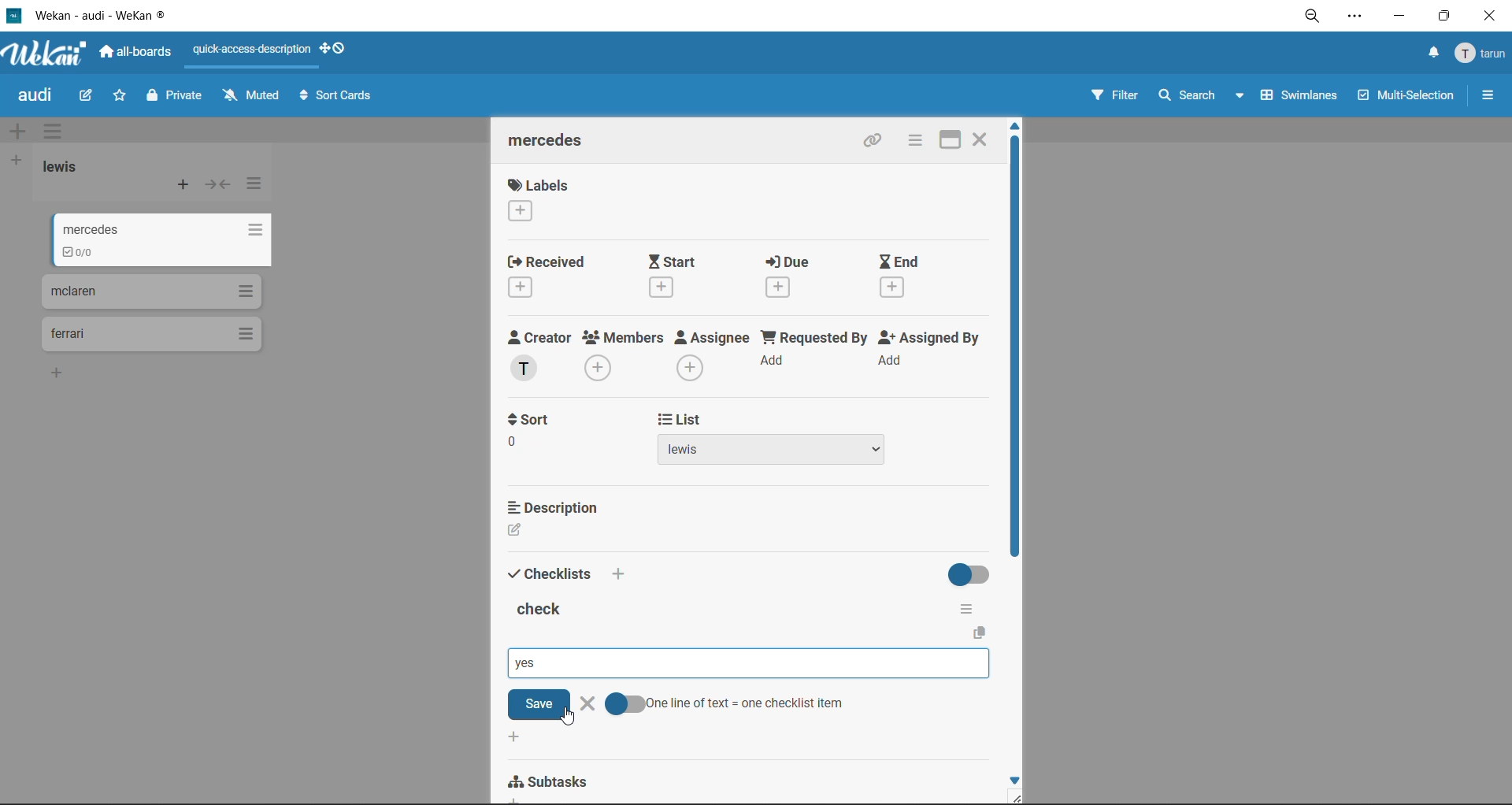 The image size is (1512, 805). I want to click on save, so click(537, 704).